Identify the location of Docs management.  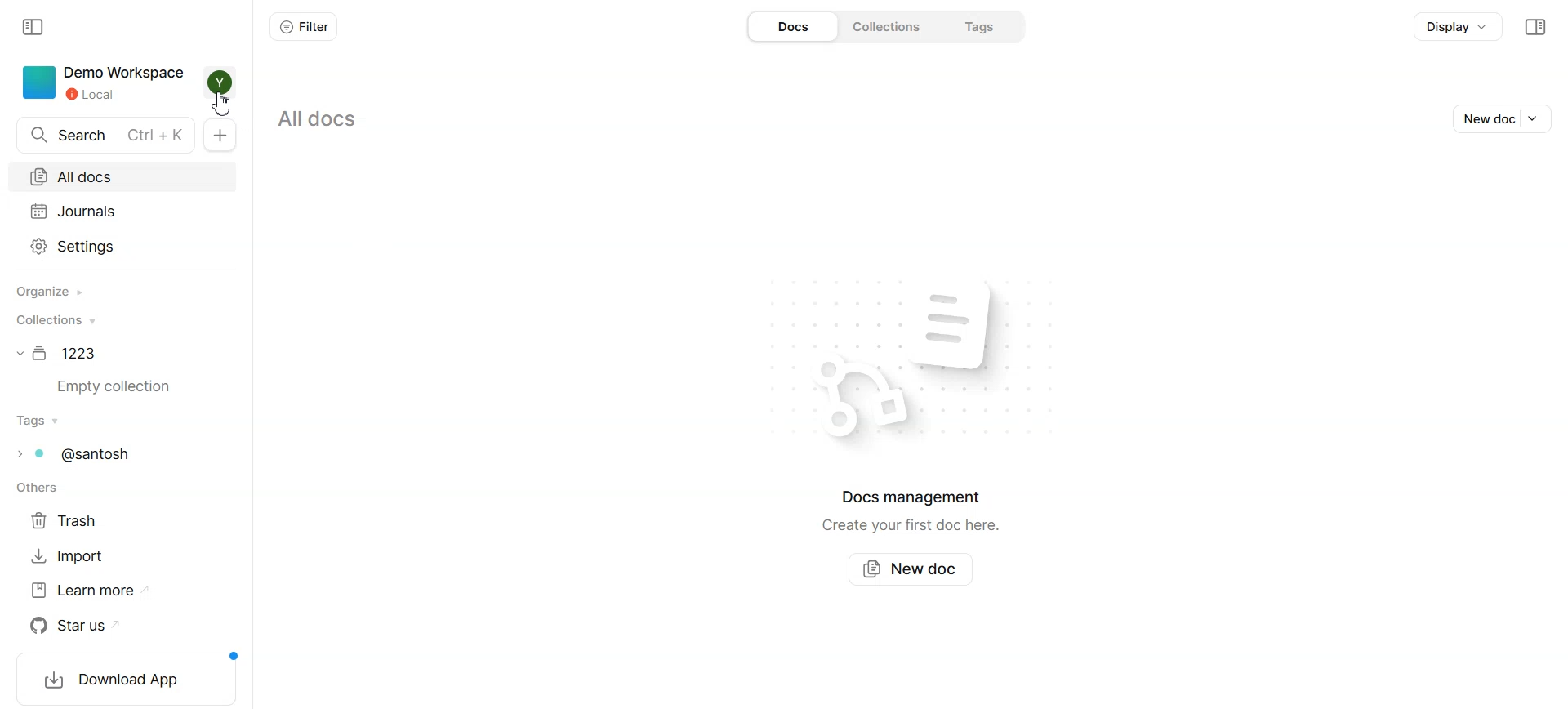
(915, 497).